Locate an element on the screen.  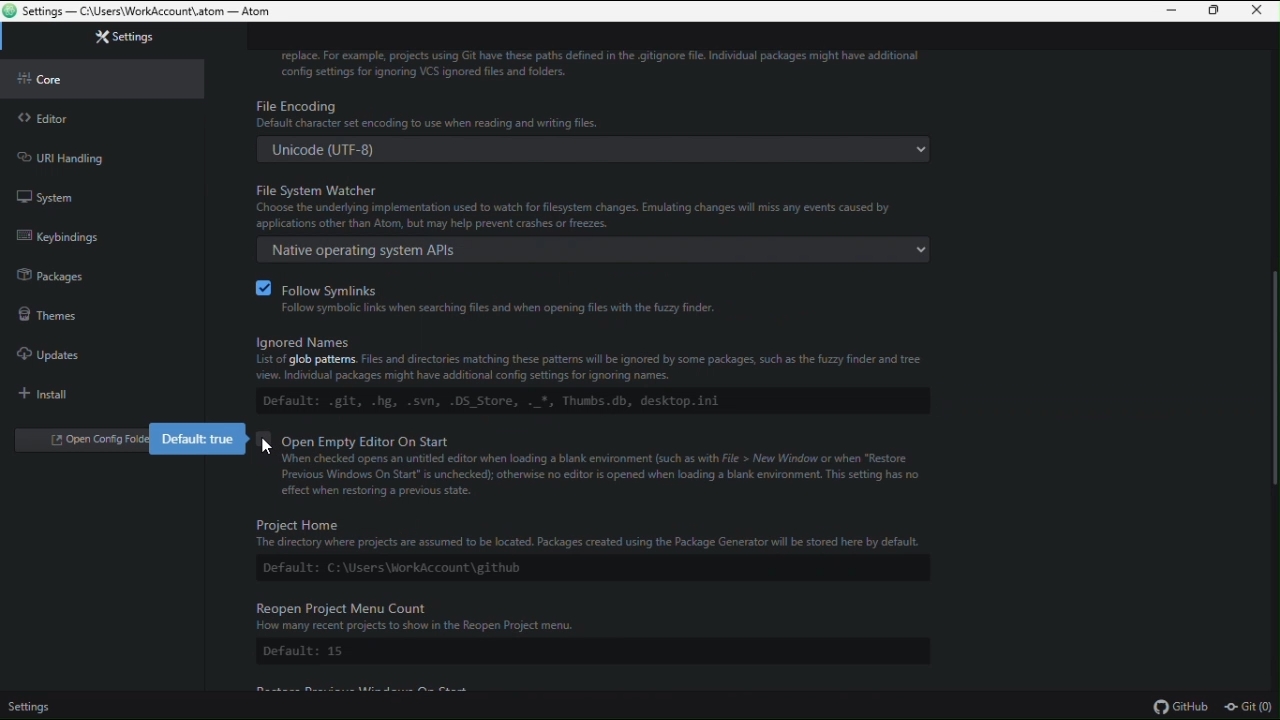
file system watcher is located at coordinates (597, 203).